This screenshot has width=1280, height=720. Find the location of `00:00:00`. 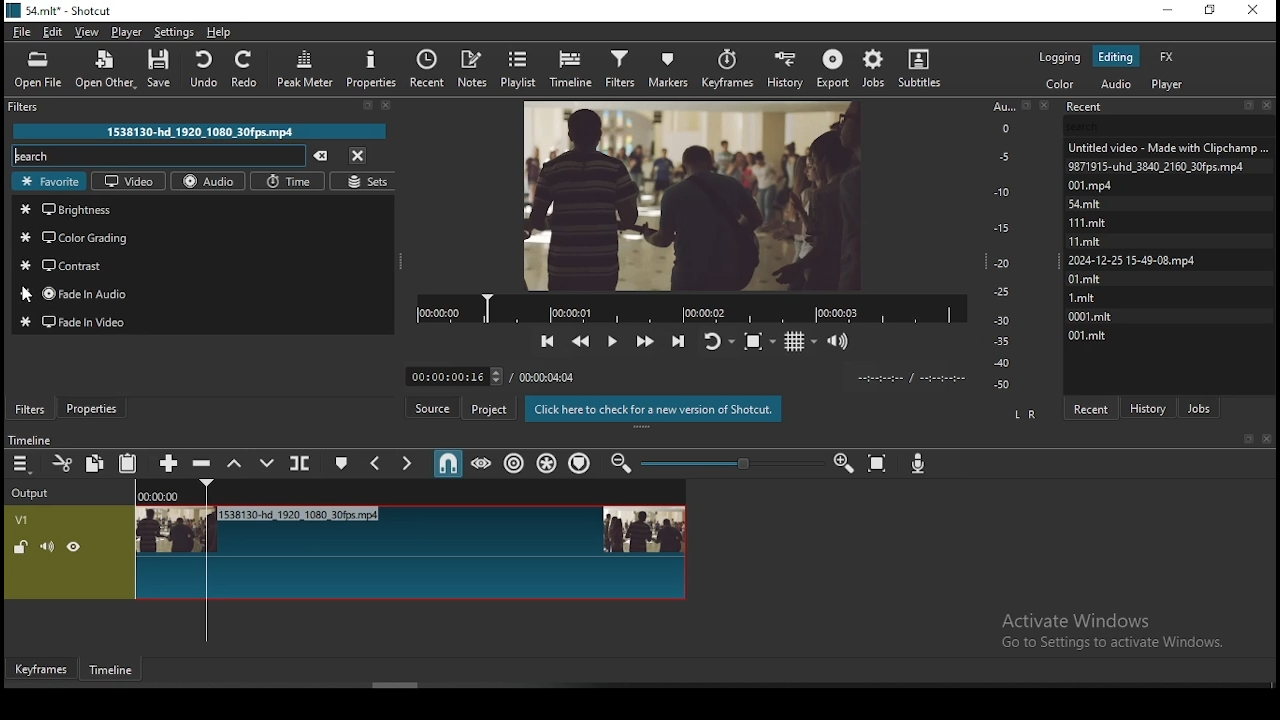

00:00:00 is located at coordinates (156, 497).